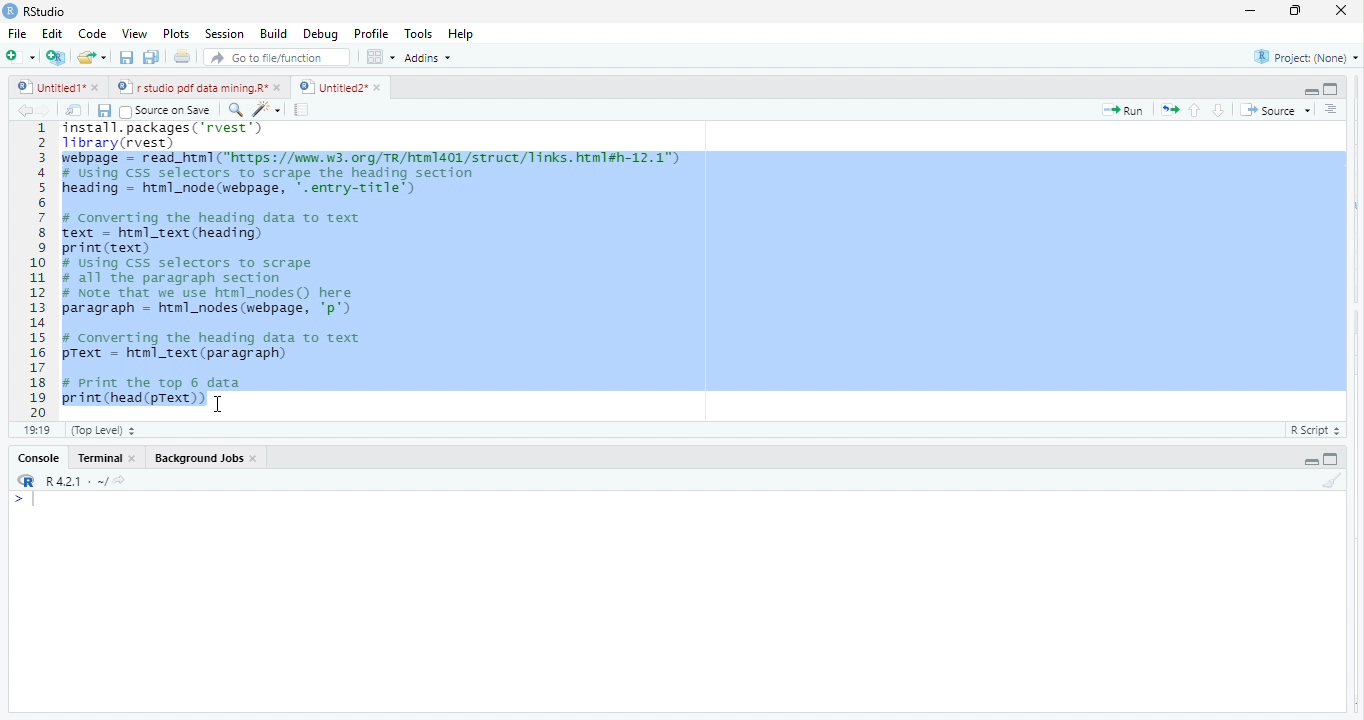 Image resolution: width=1364 pixels, height=720 pixels. I want to click on Addins , so click(432, 57).